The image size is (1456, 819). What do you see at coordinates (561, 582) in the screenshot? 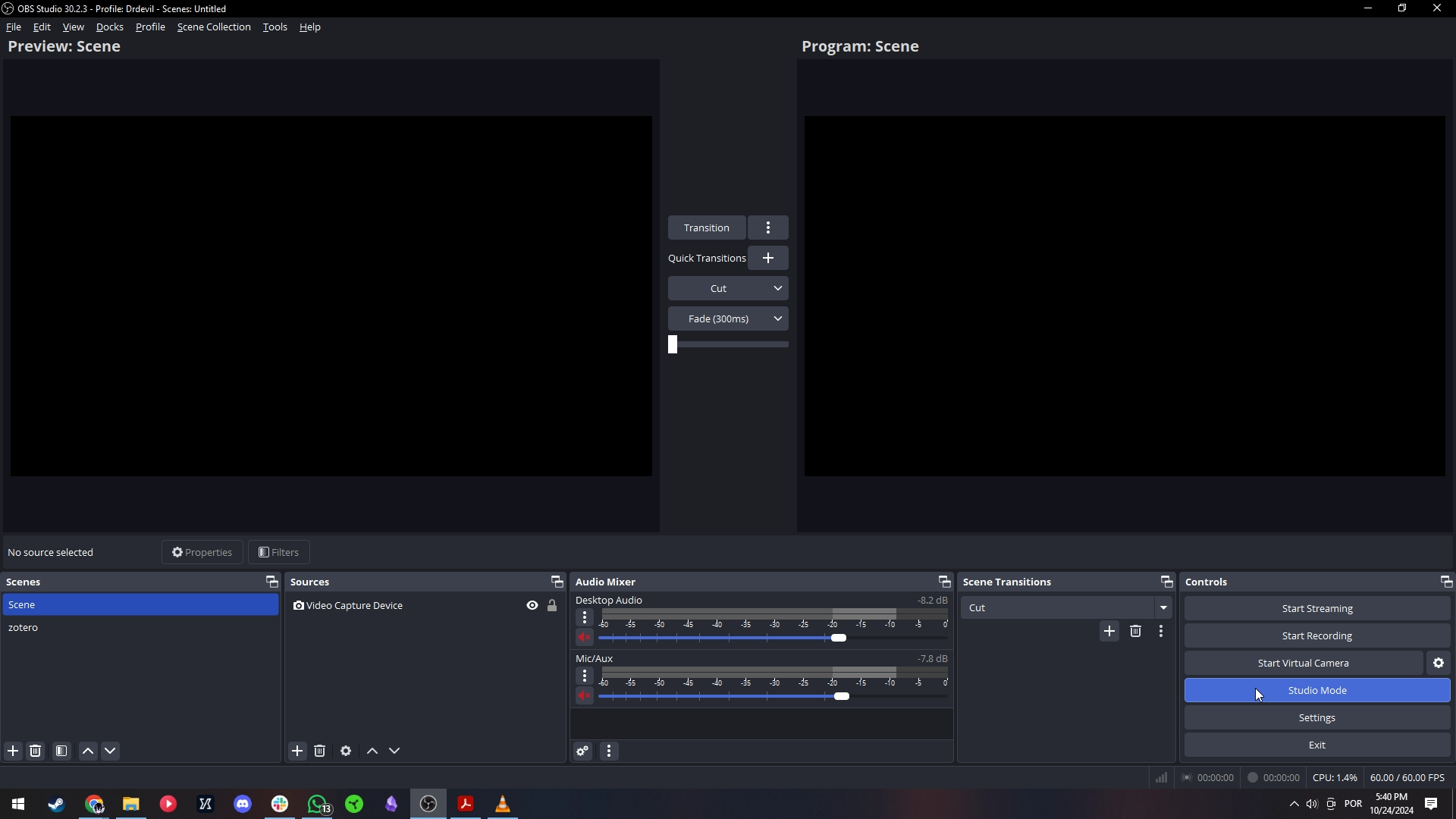
I see `Separate sources window` at bounding box center [561, 582].